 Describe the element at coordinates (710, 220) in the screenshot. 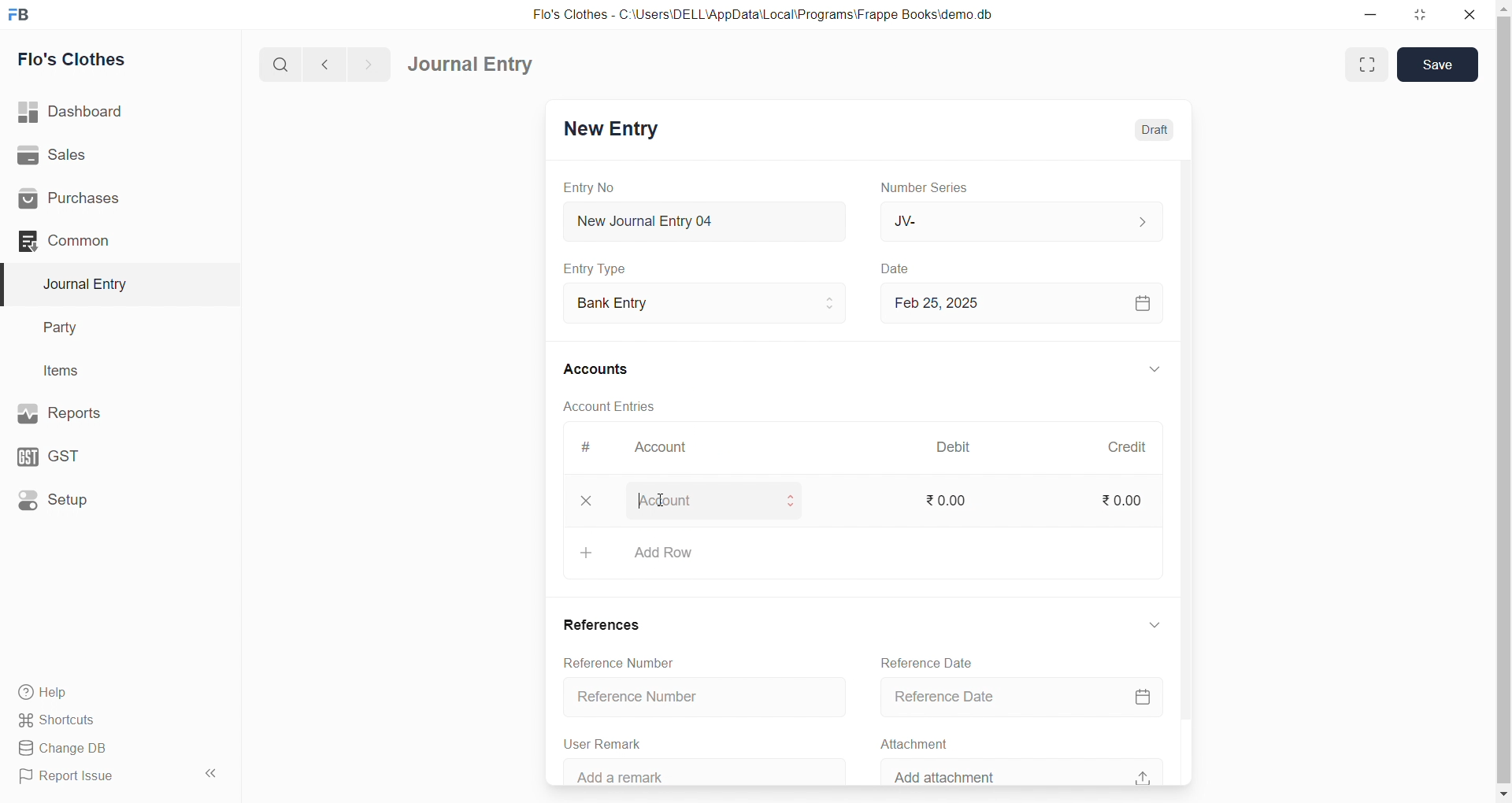

I see `New Journal Entry 04` at that location.